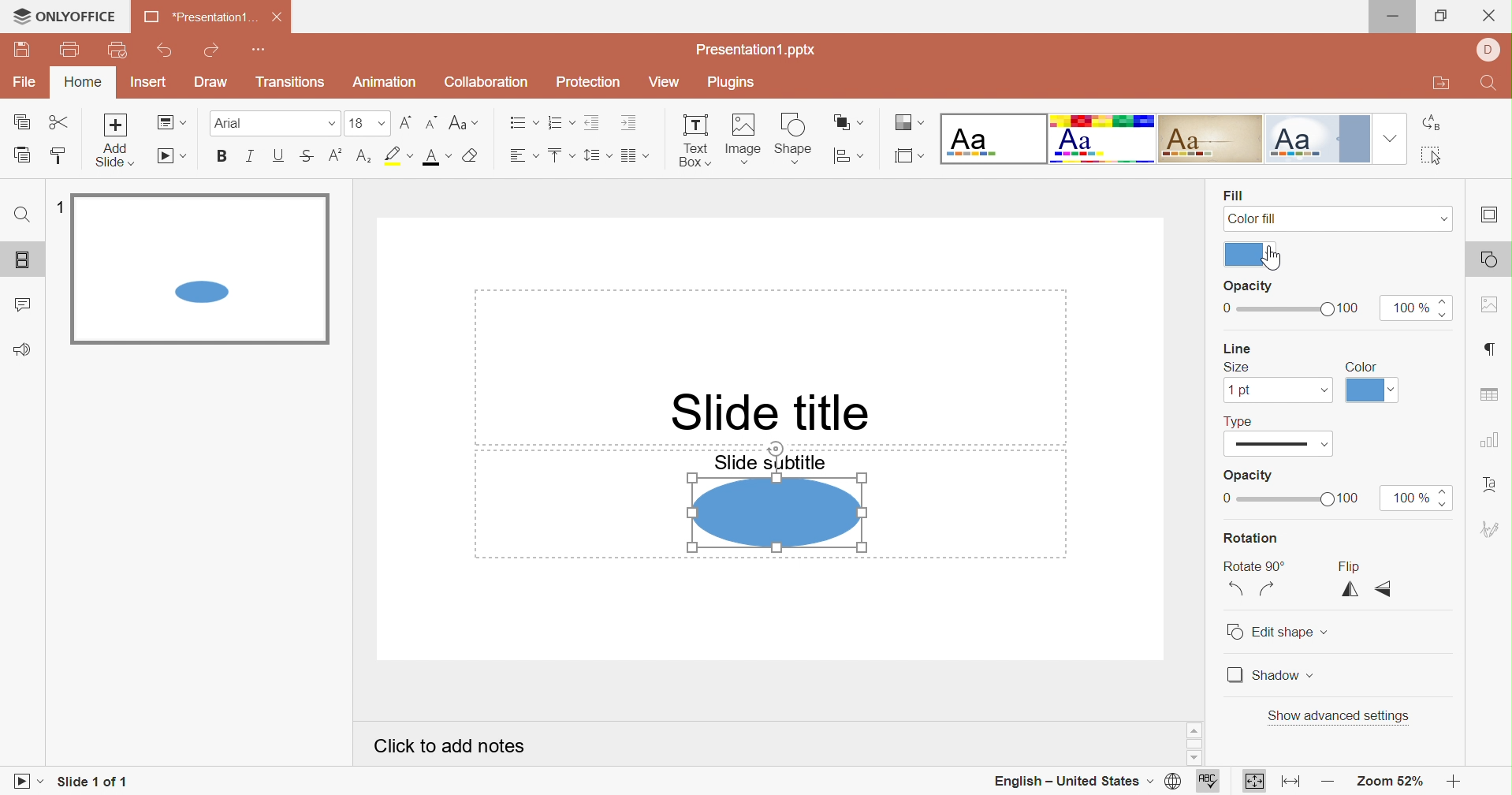 The image size is (1512, 795). Describe the element at coordinates (1350, 498) in the screenshot. I see `100` at that location.